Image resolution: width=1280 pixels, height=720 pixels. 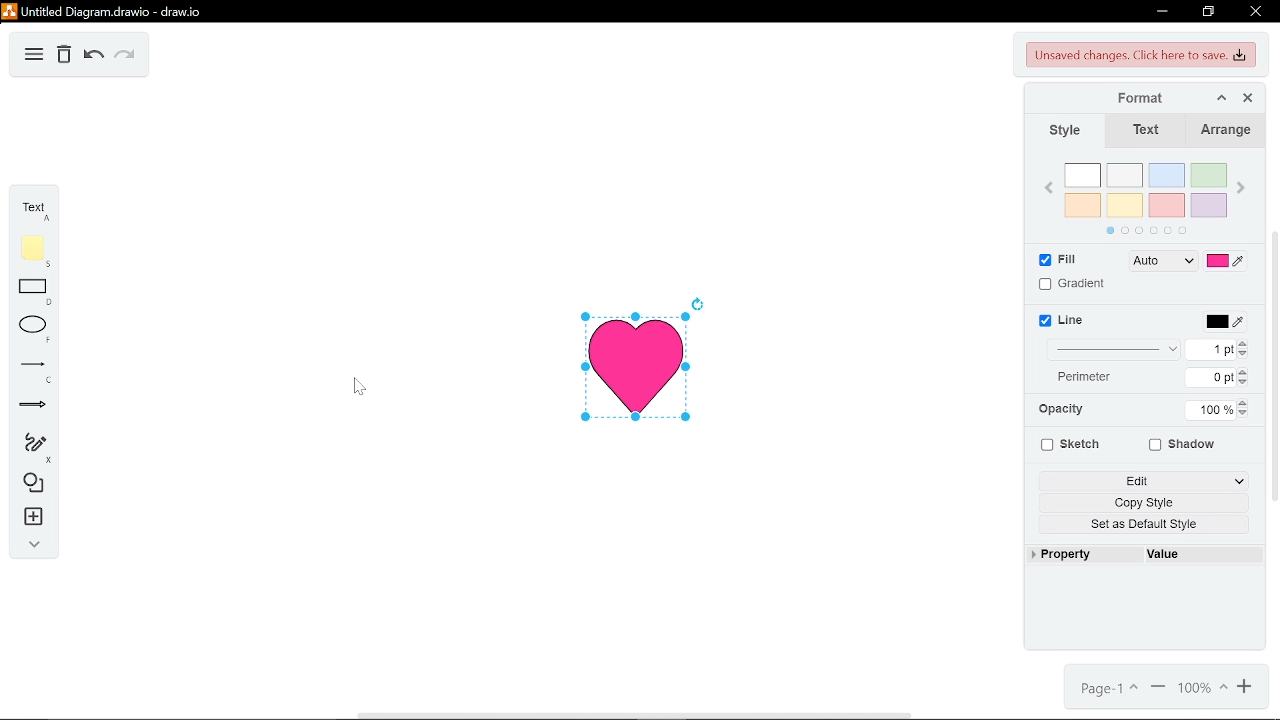 I want to click on 1pt, so click(x=1219, y=349).